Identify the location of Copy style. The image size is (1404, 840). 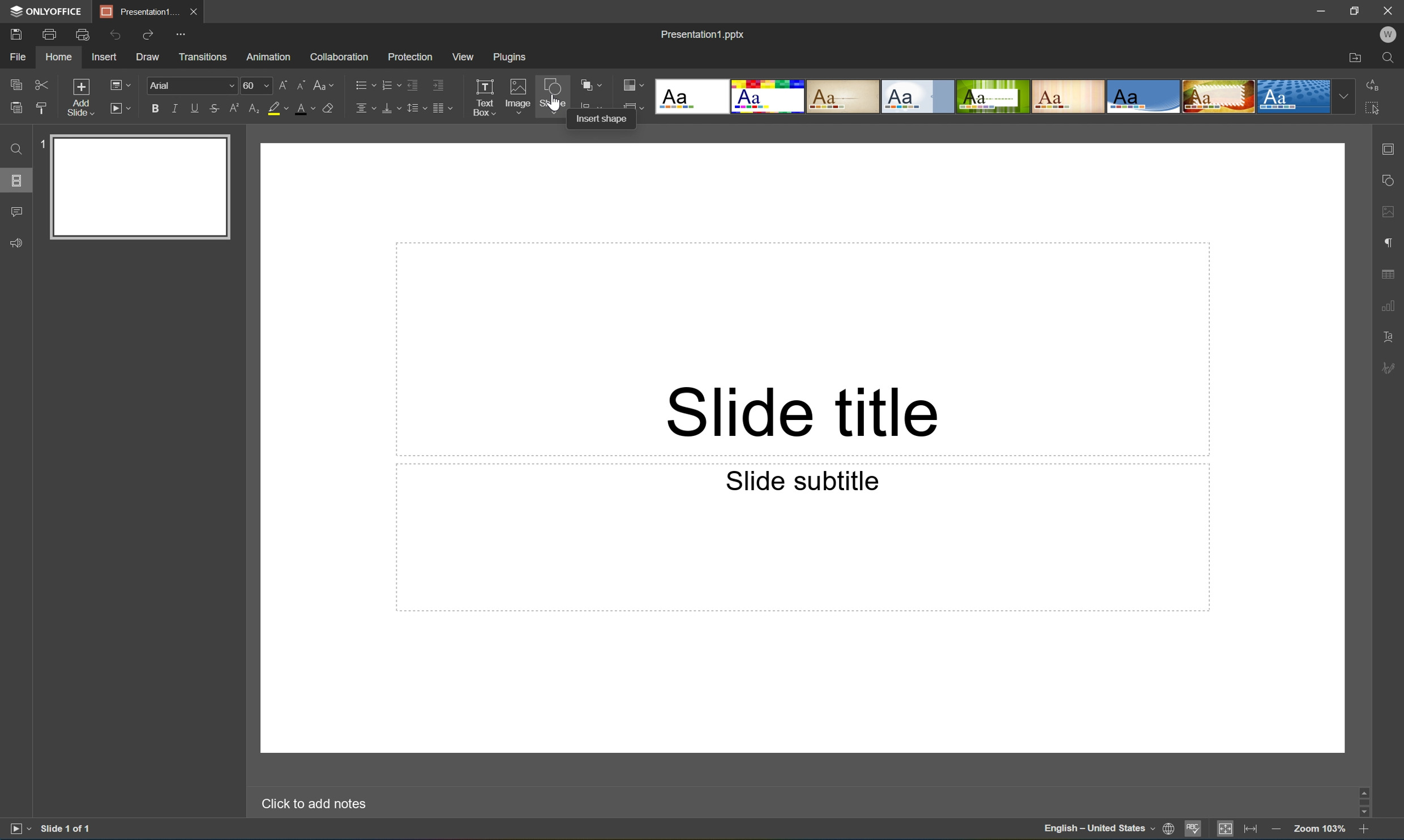
(41, 106).